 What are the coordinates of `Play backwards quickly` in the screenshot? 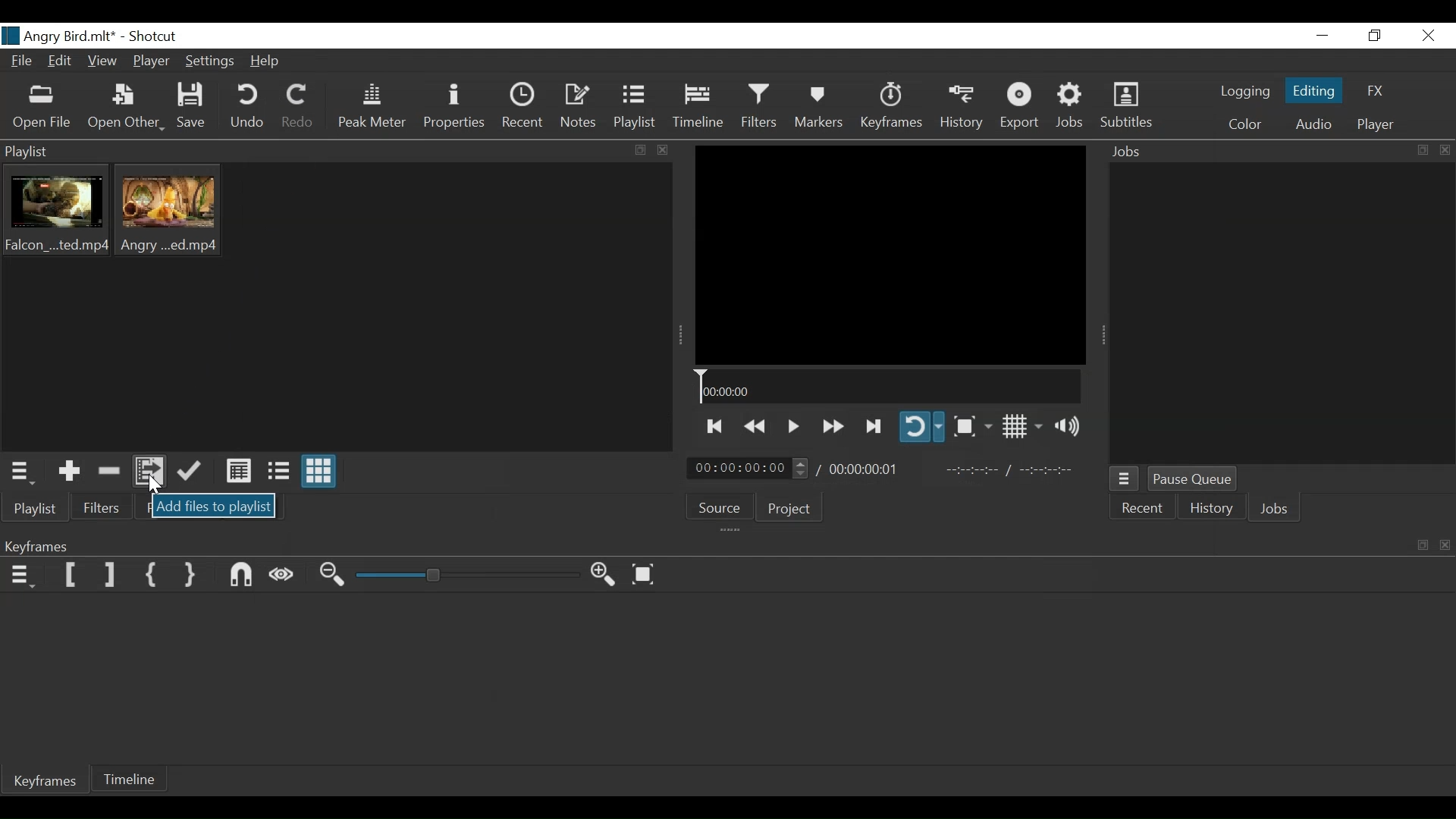 It's located at (759, 427).